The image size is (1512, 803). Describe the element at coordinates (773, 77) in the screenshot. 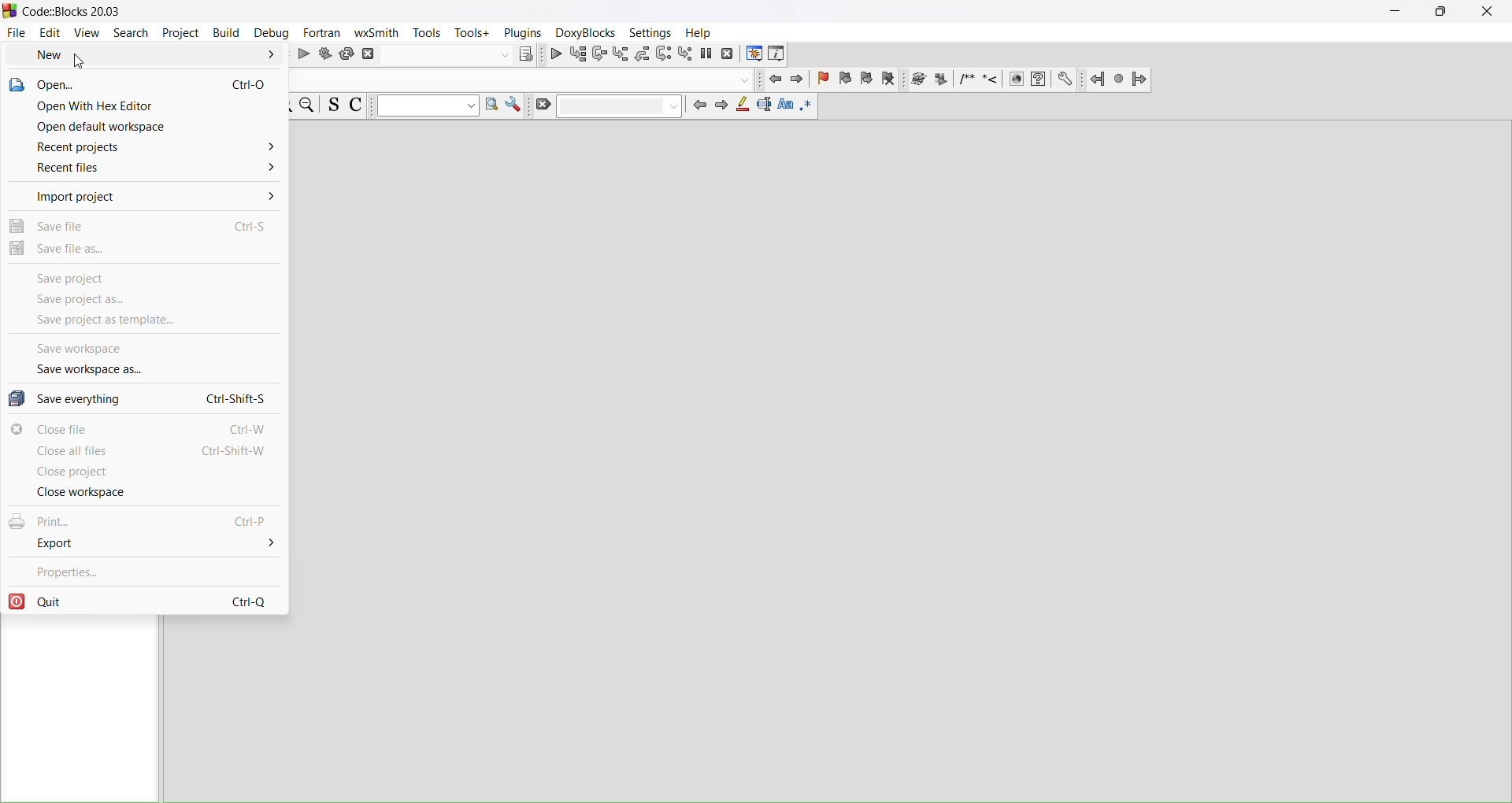

I see `jump back` at that location.